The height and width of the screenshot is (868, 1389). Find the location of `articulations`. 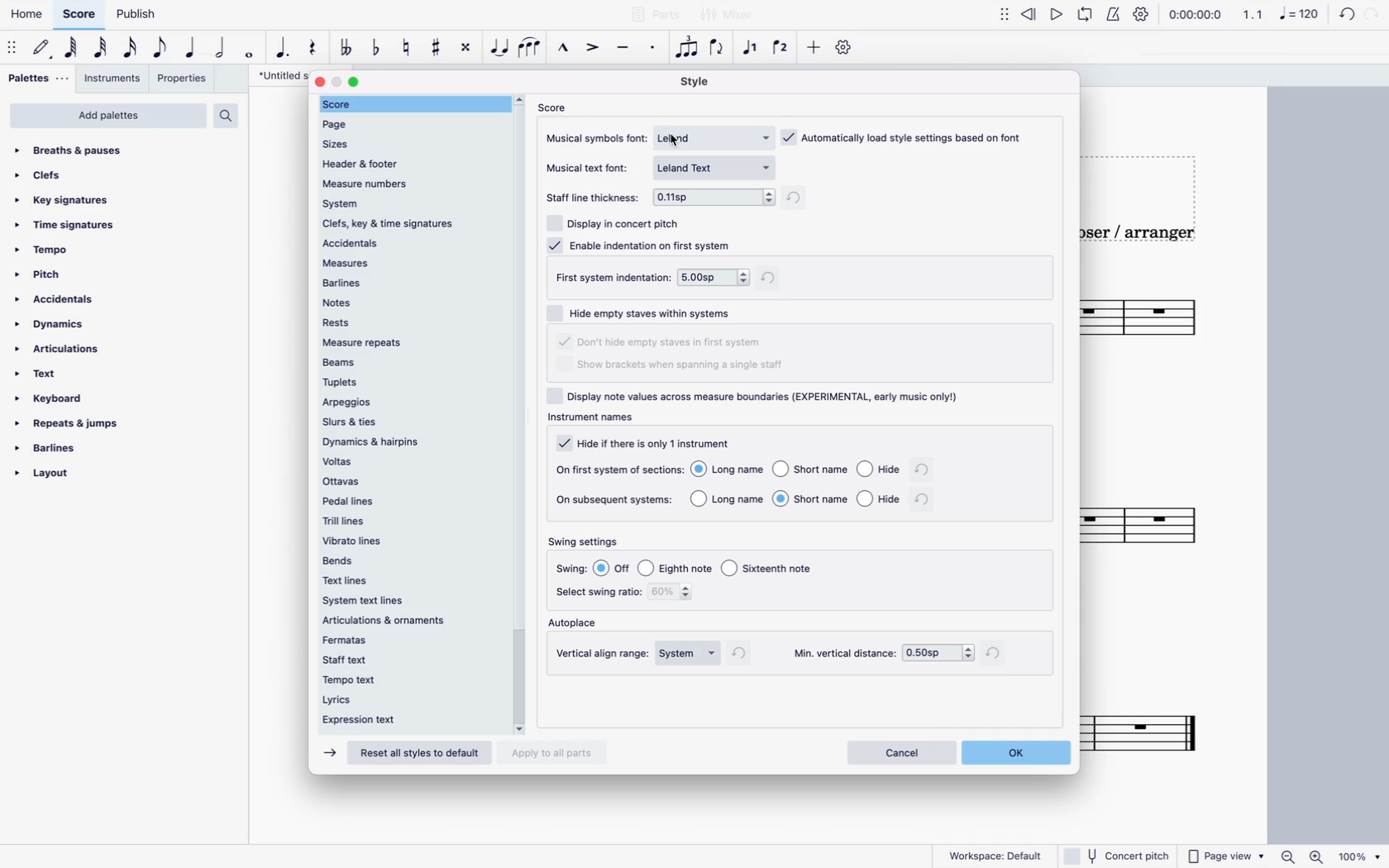

articulations is located at coordinates (63, 351).